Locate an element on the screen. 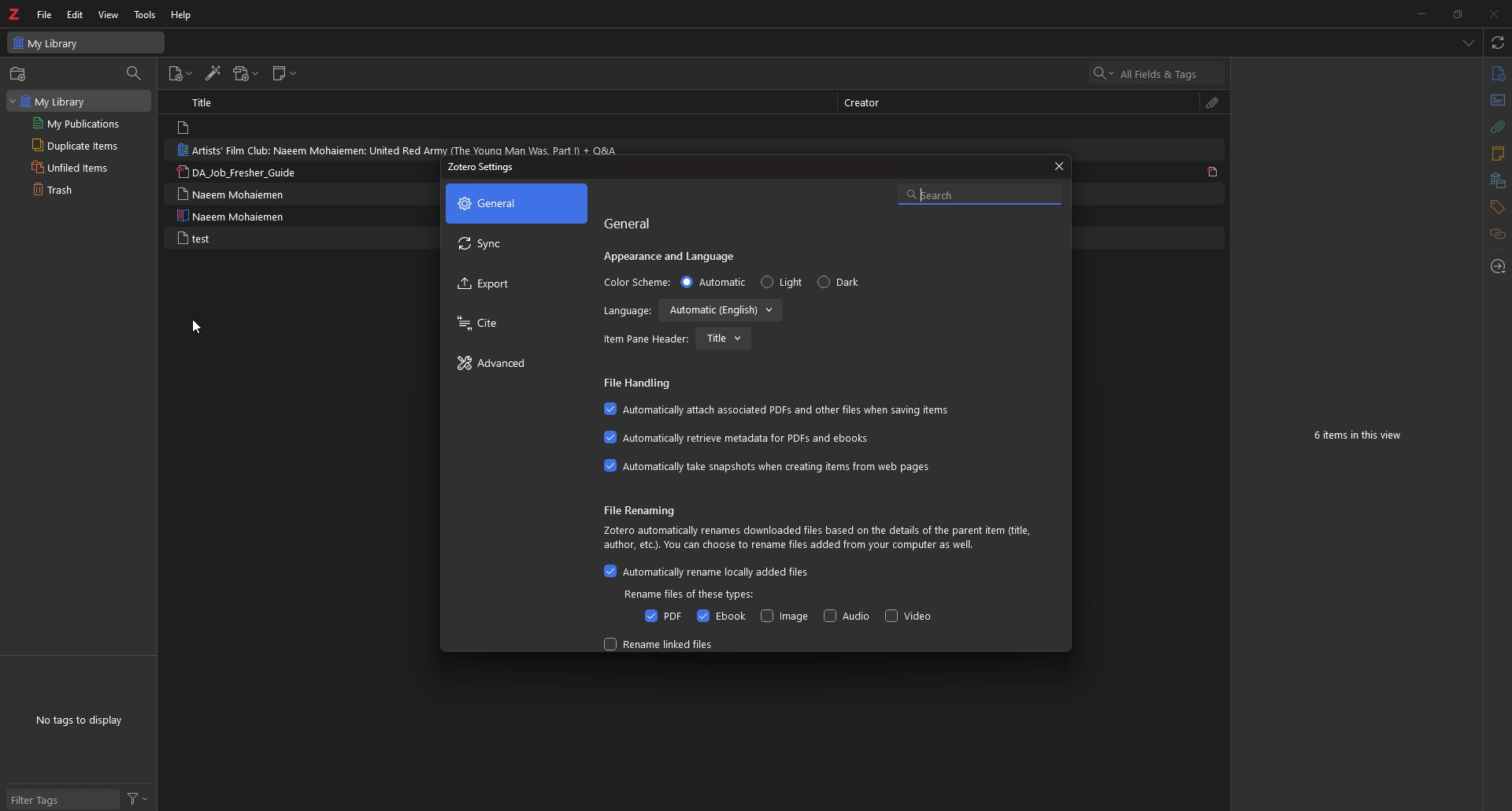 Image resolution: width=1512 pixels, height=811 pixels. cite is located at coordinates (510, 324).